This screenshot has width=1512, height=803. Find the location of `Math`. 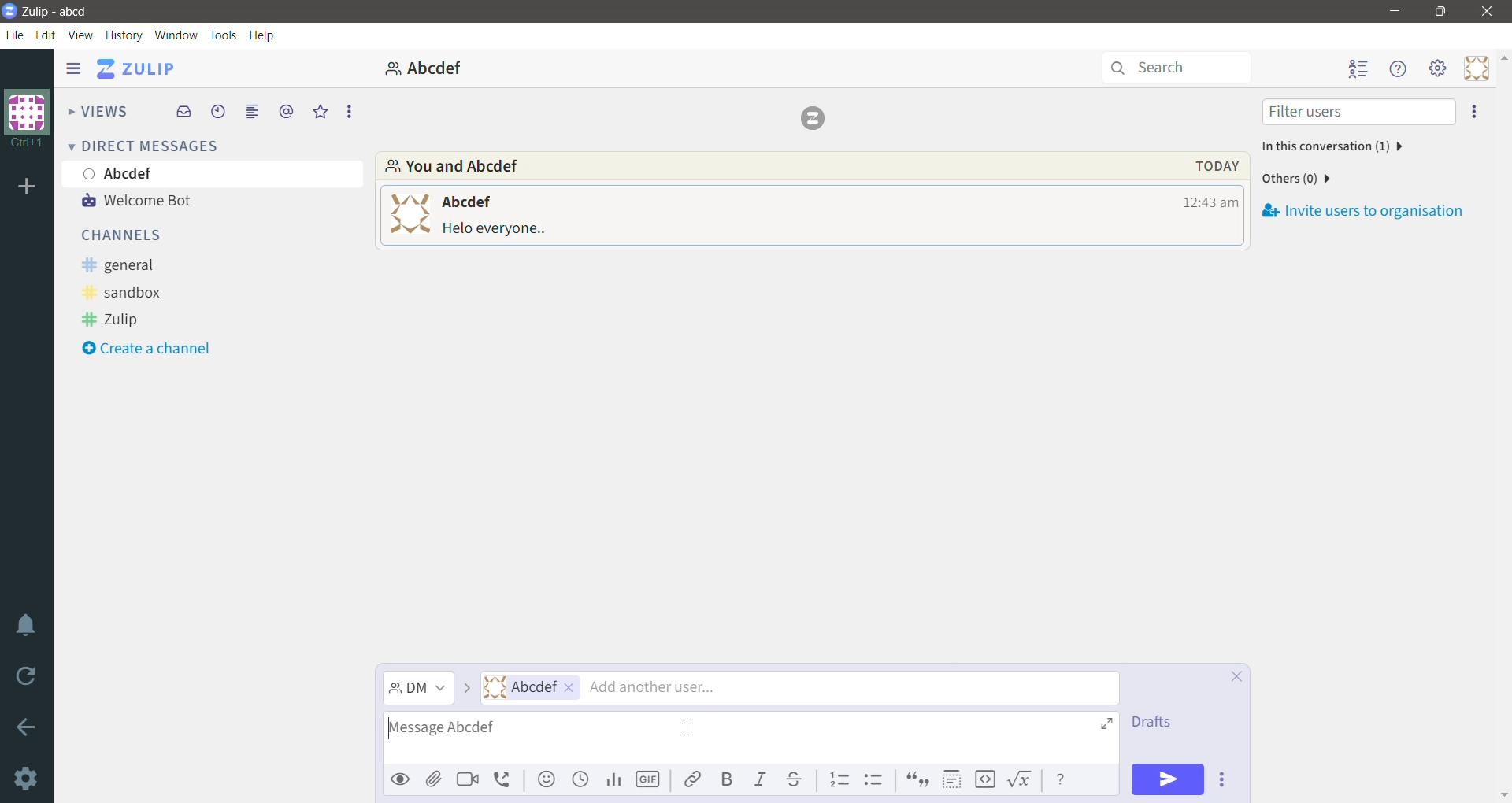

Math is located at coordinates (1022, 781).